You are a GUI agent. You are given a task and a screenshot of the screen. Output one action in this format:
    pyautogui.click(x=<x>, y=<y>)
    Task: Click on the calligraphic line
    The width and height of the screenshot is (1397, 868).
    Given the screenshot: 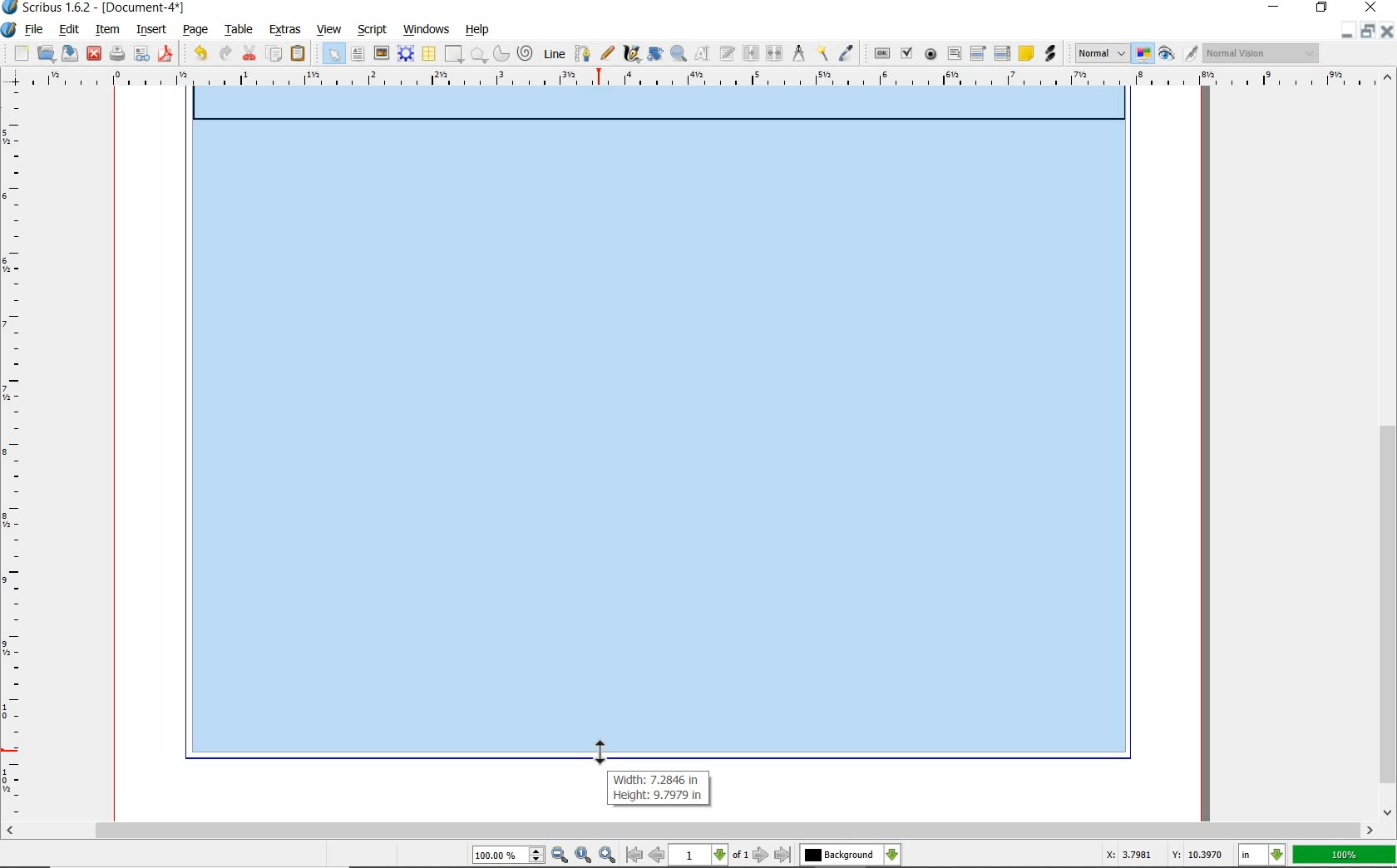 What is the action you would take?
    pyautogui.click(x=631, y=53)
    